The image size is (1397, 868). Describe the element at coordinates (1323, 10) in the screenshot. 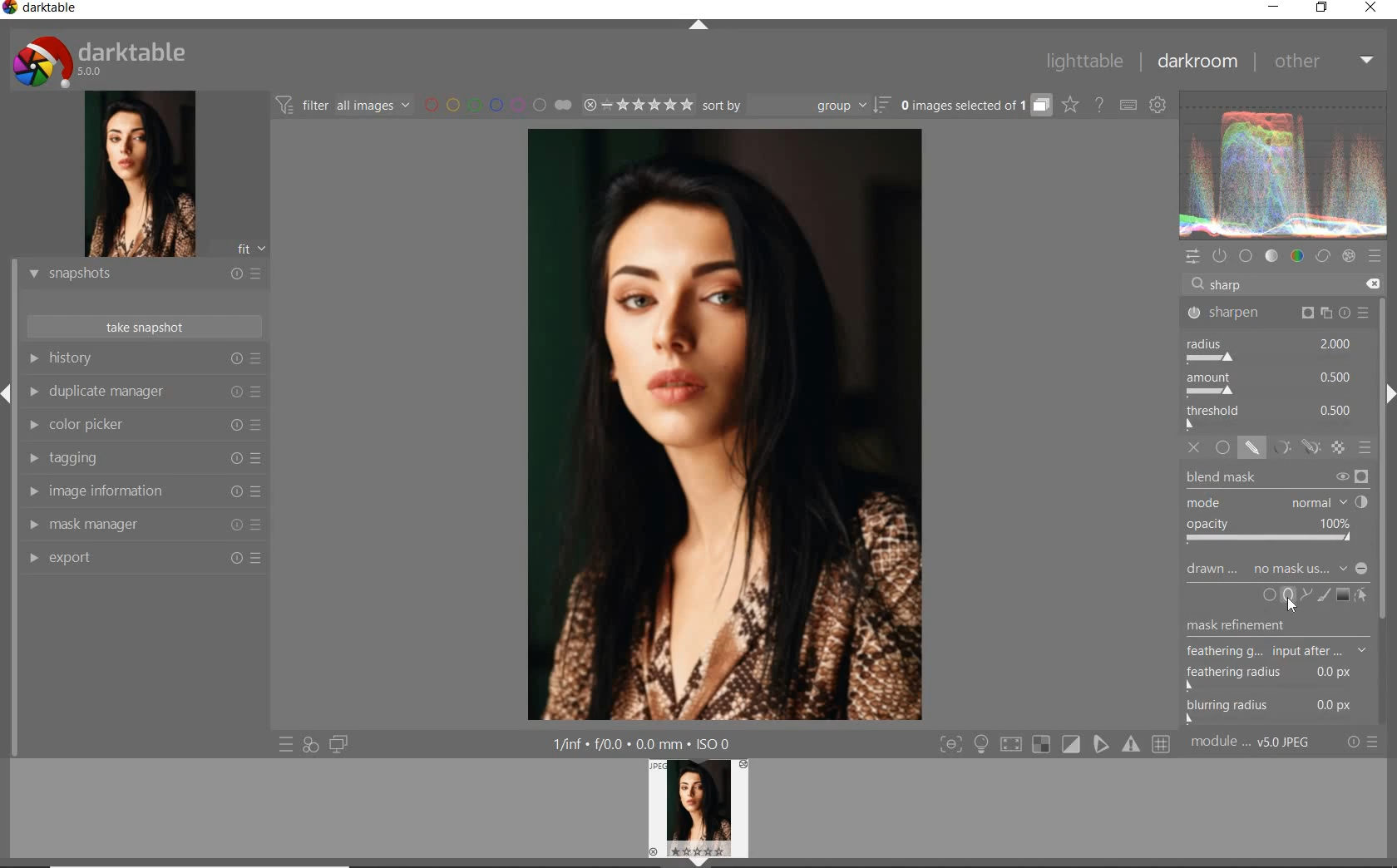

I see `restore` at that location.